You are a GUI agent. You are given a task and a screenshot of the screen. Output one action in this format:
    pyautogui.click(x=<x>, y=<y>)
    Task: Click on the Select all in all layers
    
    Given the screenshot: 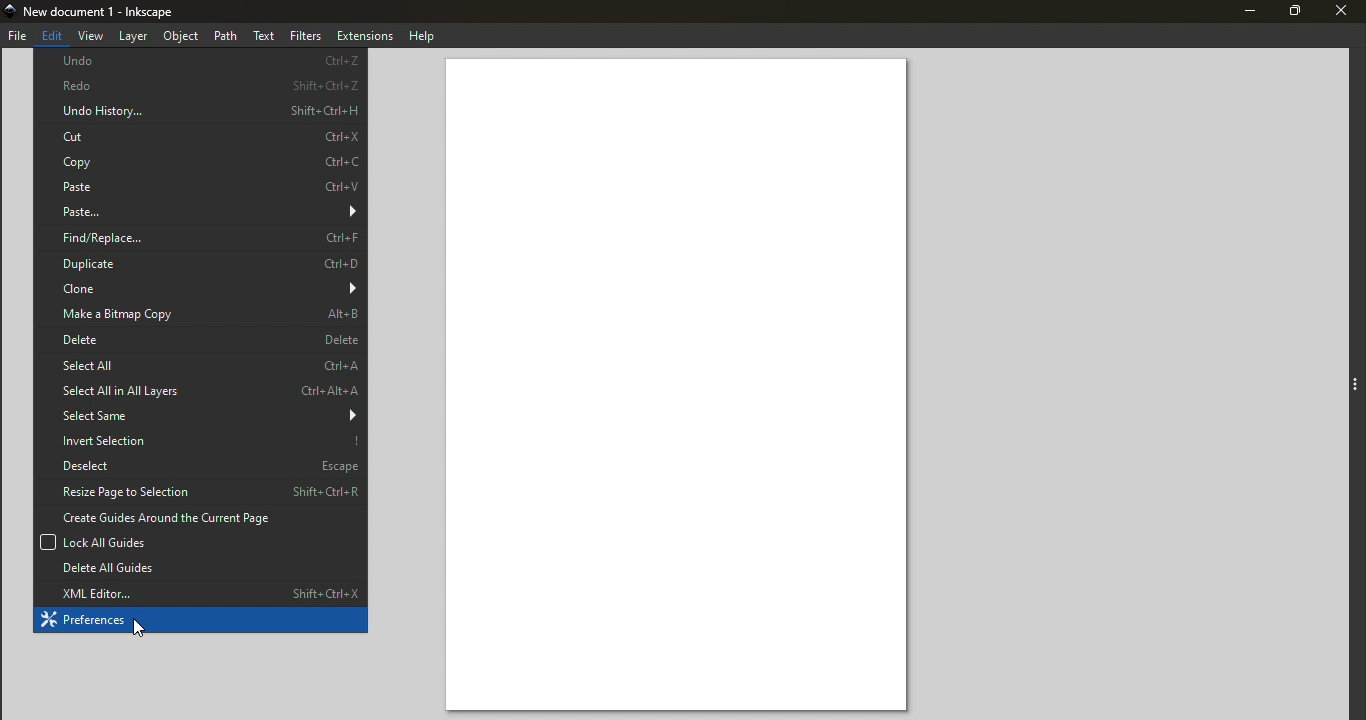 What is the action you would take?
    pyautogui.click(x=198, y=391)
    